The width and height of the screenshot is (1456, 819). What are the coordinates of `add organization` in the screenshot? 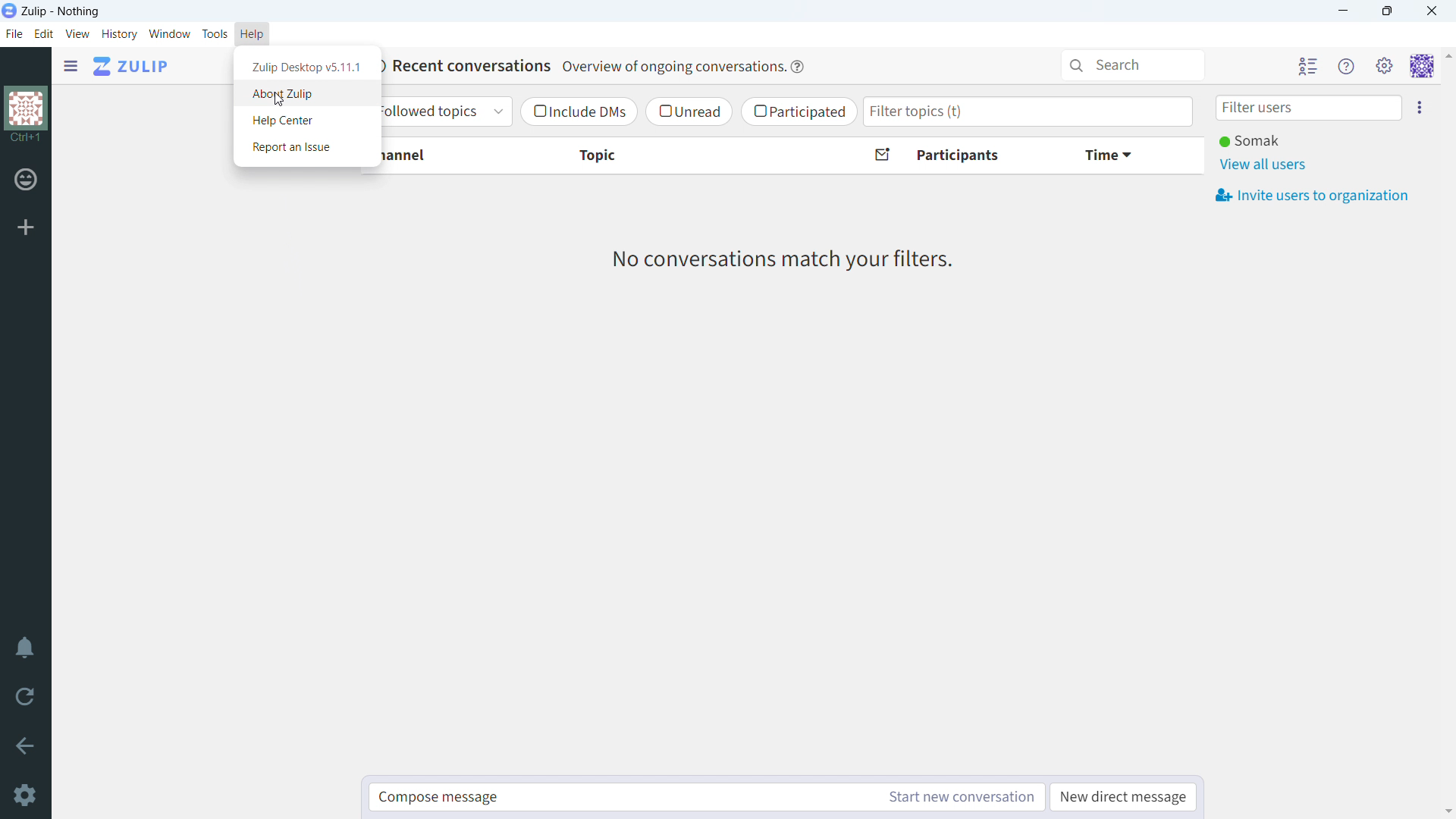 It's located at (26, 227).